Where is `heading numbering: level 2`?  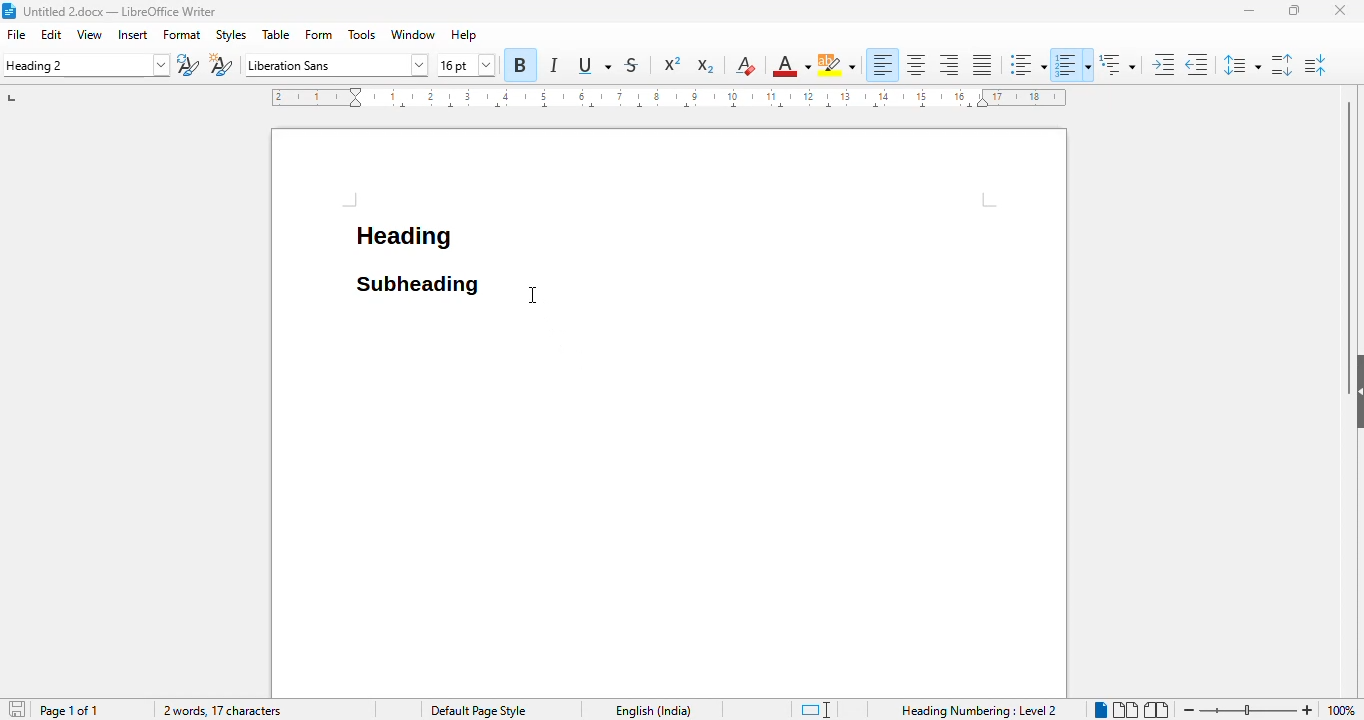
heading numbering: level 2 is located at coordinates (978, 710).